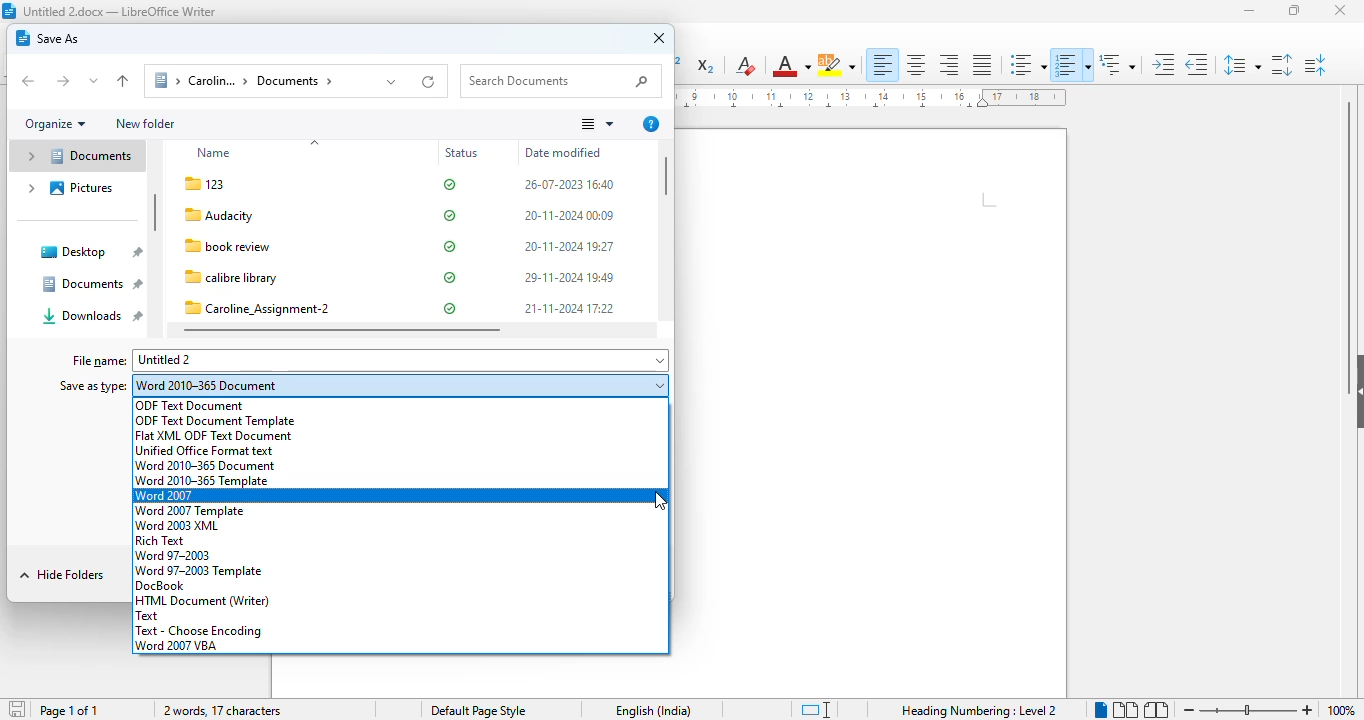  Describe the element at coordinates (401, 386) in the screenshot. I see `word 2010-365 document` at that location.